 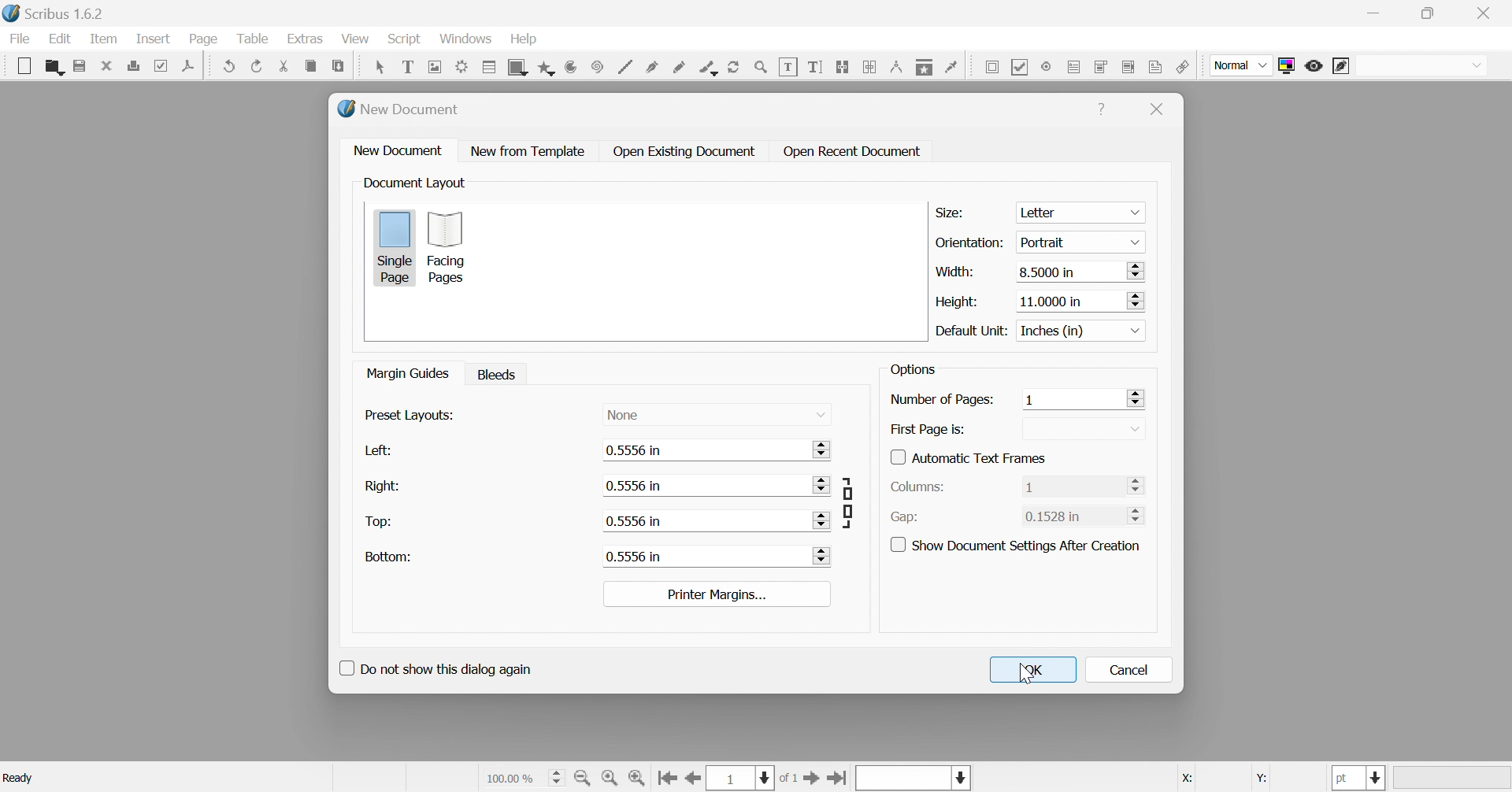 What do you see at coordinates (708, 67) in the screenshot?
I see `calligraphic line` at bounding box center [708, 67].